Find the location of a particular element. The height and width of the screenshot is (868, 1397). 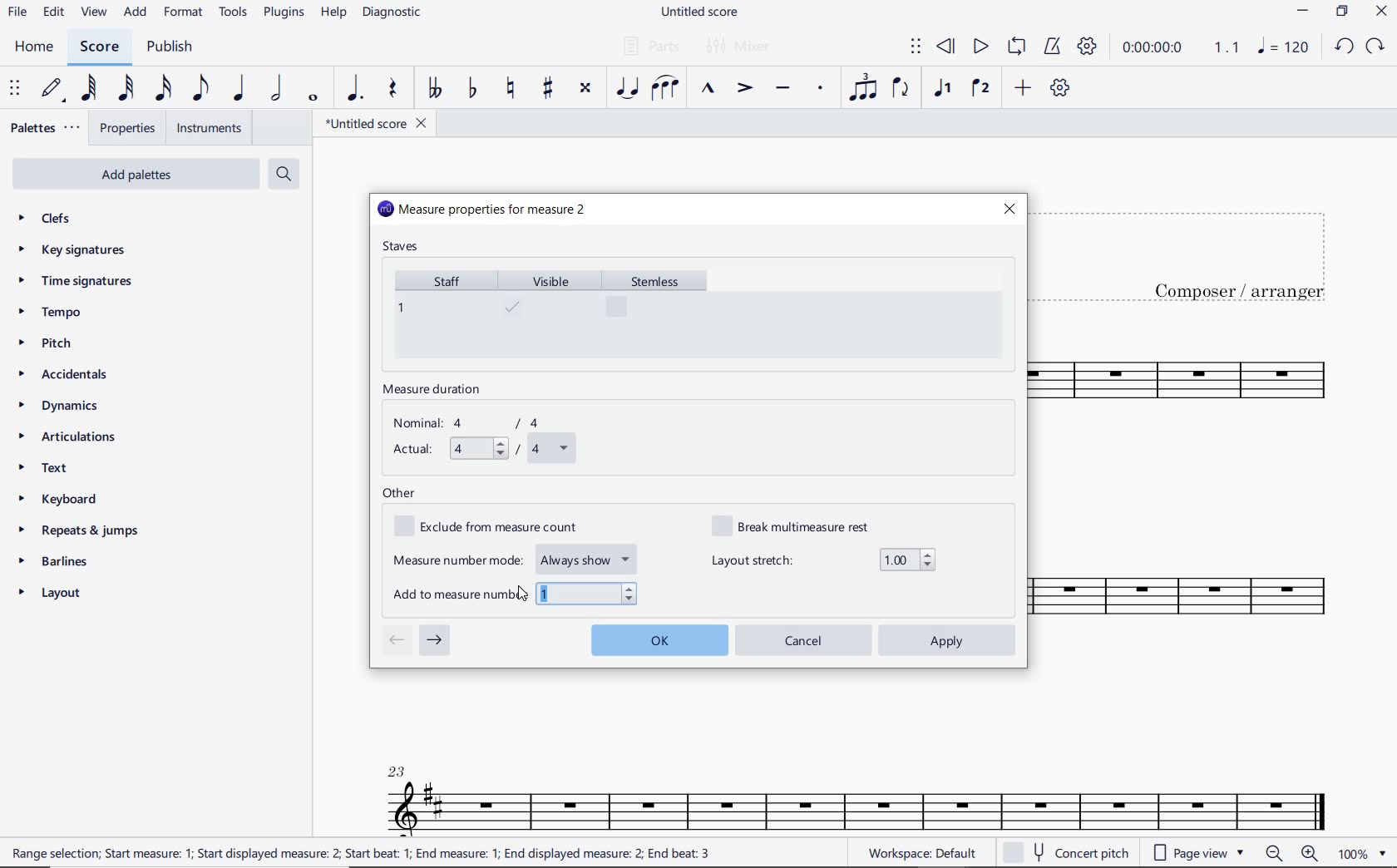

MIXER is located at coordinates (739, 47).